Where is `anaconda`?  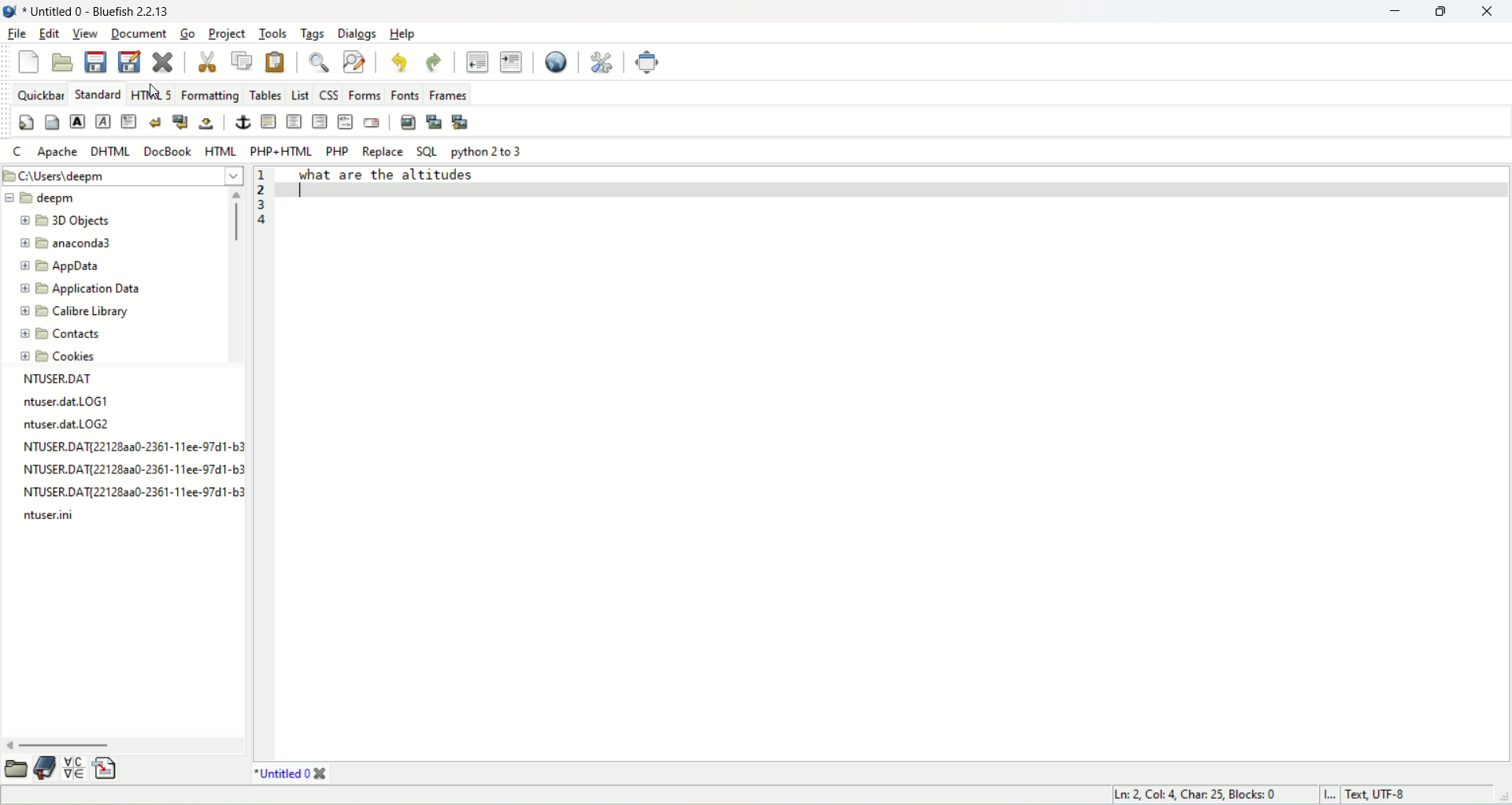 anaconda is located at coordinates (70, 243).